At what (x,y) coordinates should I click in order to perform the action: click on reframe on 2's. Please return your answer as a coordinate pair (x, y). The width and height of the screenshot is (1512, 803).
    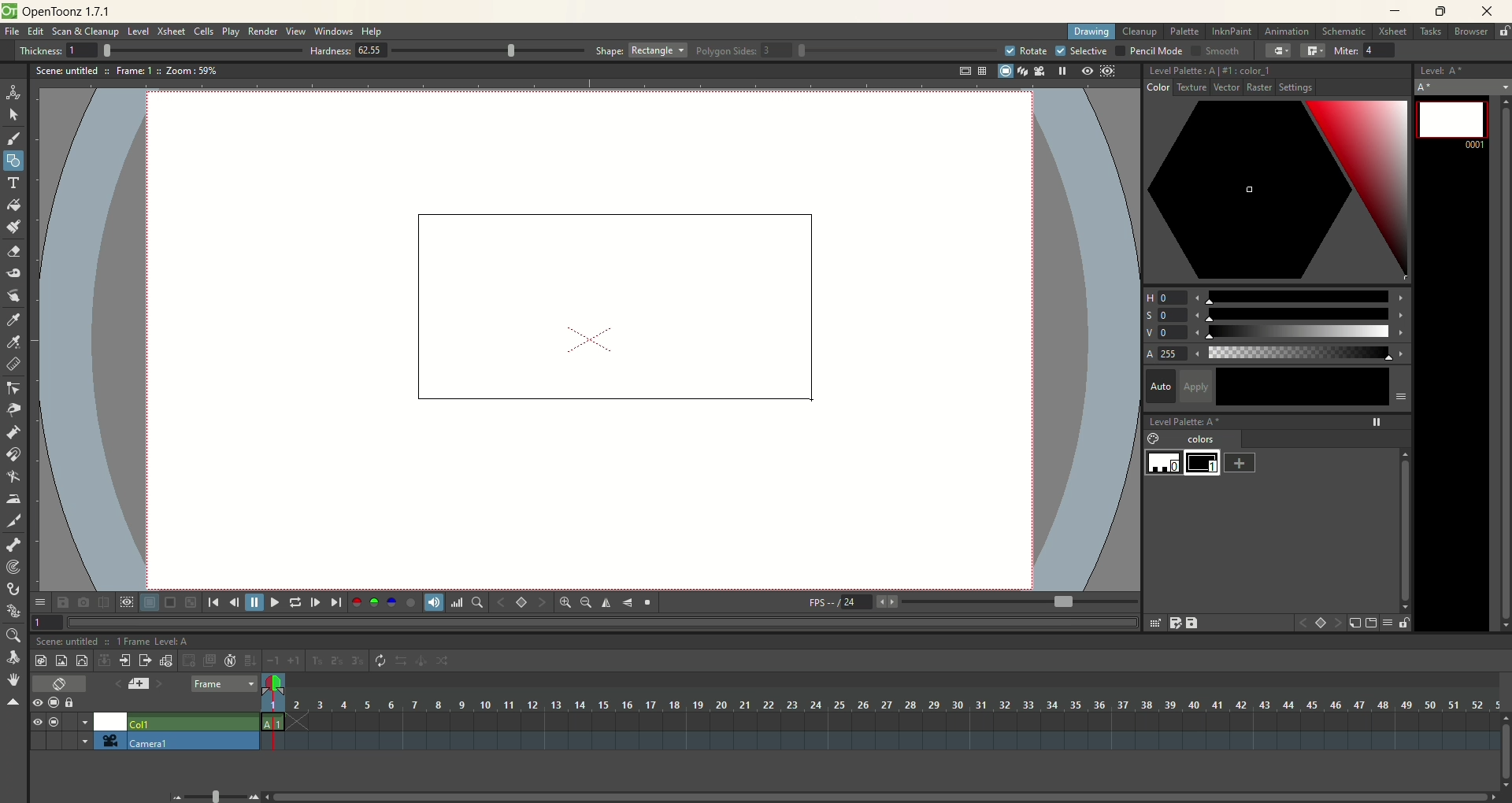
    Looking at the image, I should click on (339, 661).